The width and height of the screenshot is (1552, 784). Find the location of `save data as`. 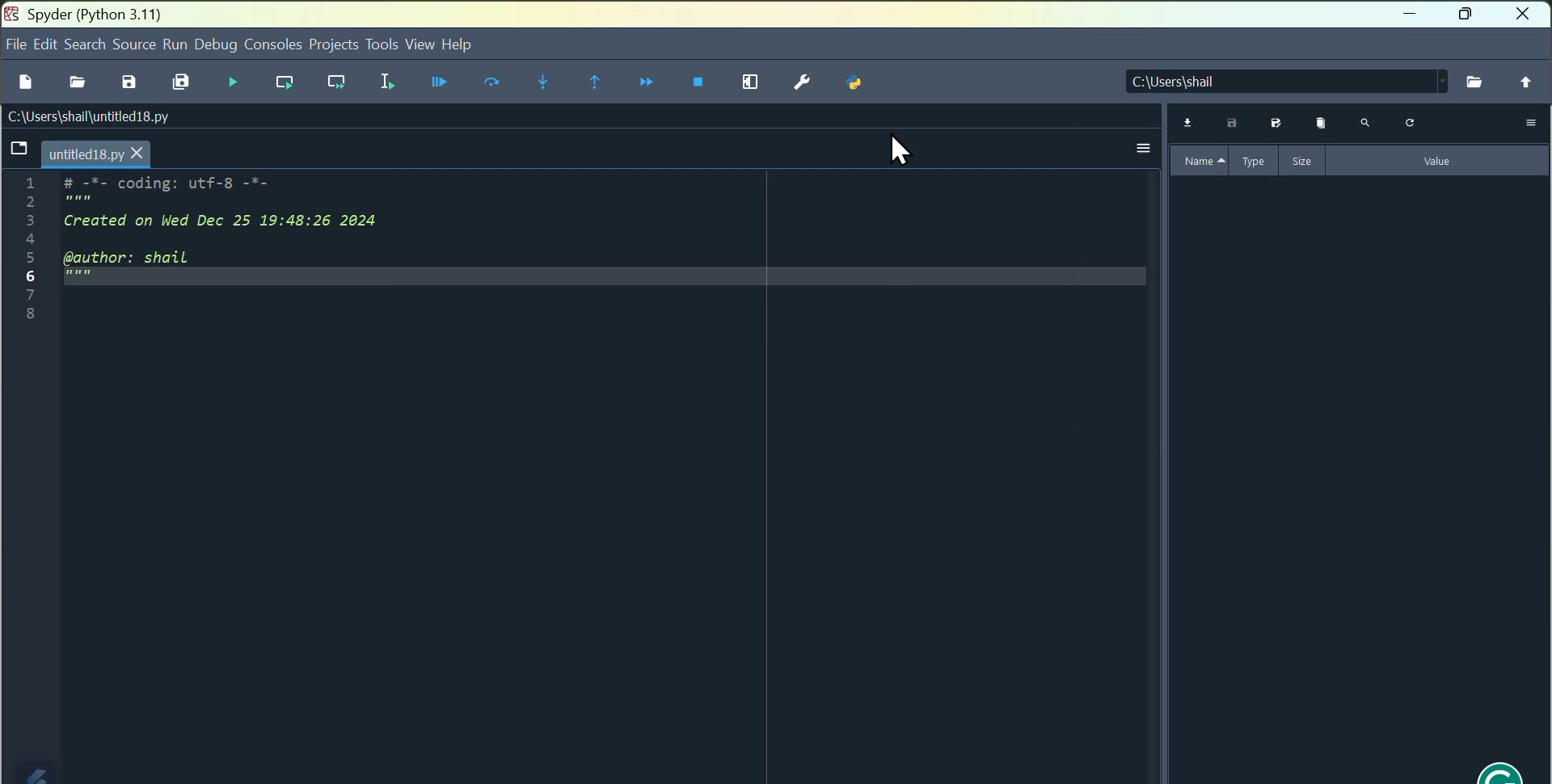

save data as is located at coordinates (1272, 122).